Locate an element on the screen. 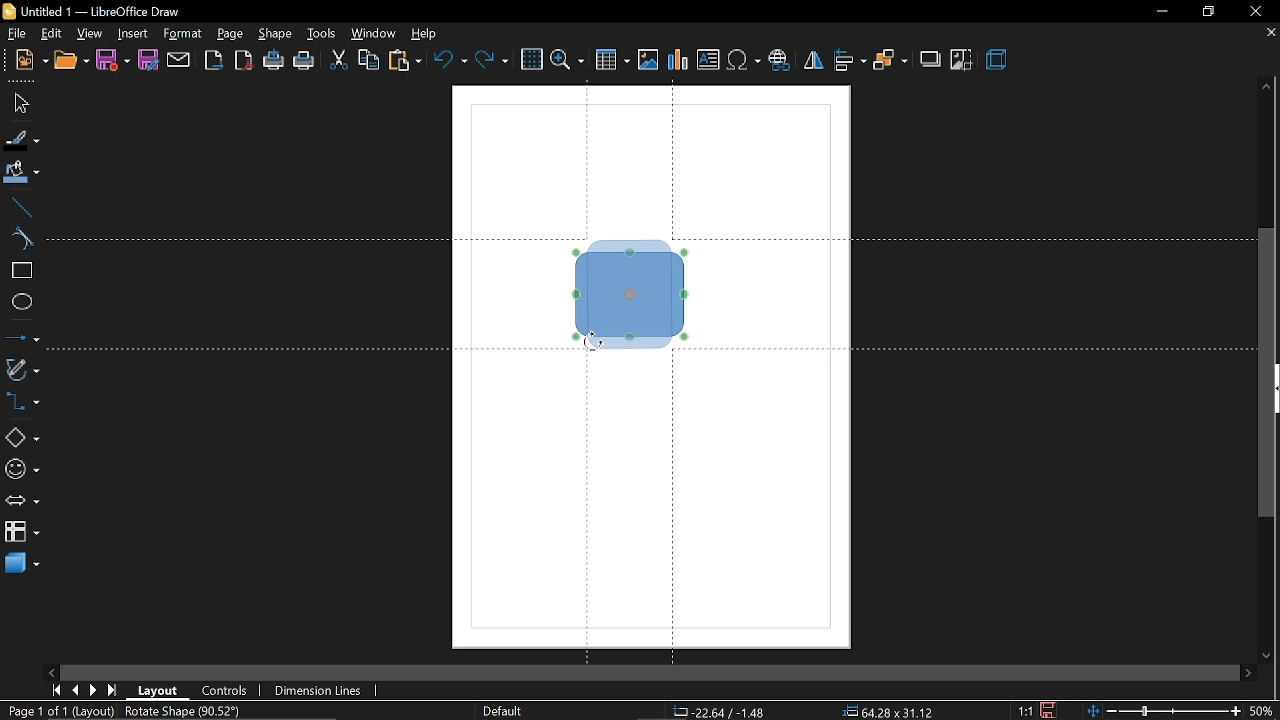 The image size is (1280, 720). default is located at coordinates (503, 711).